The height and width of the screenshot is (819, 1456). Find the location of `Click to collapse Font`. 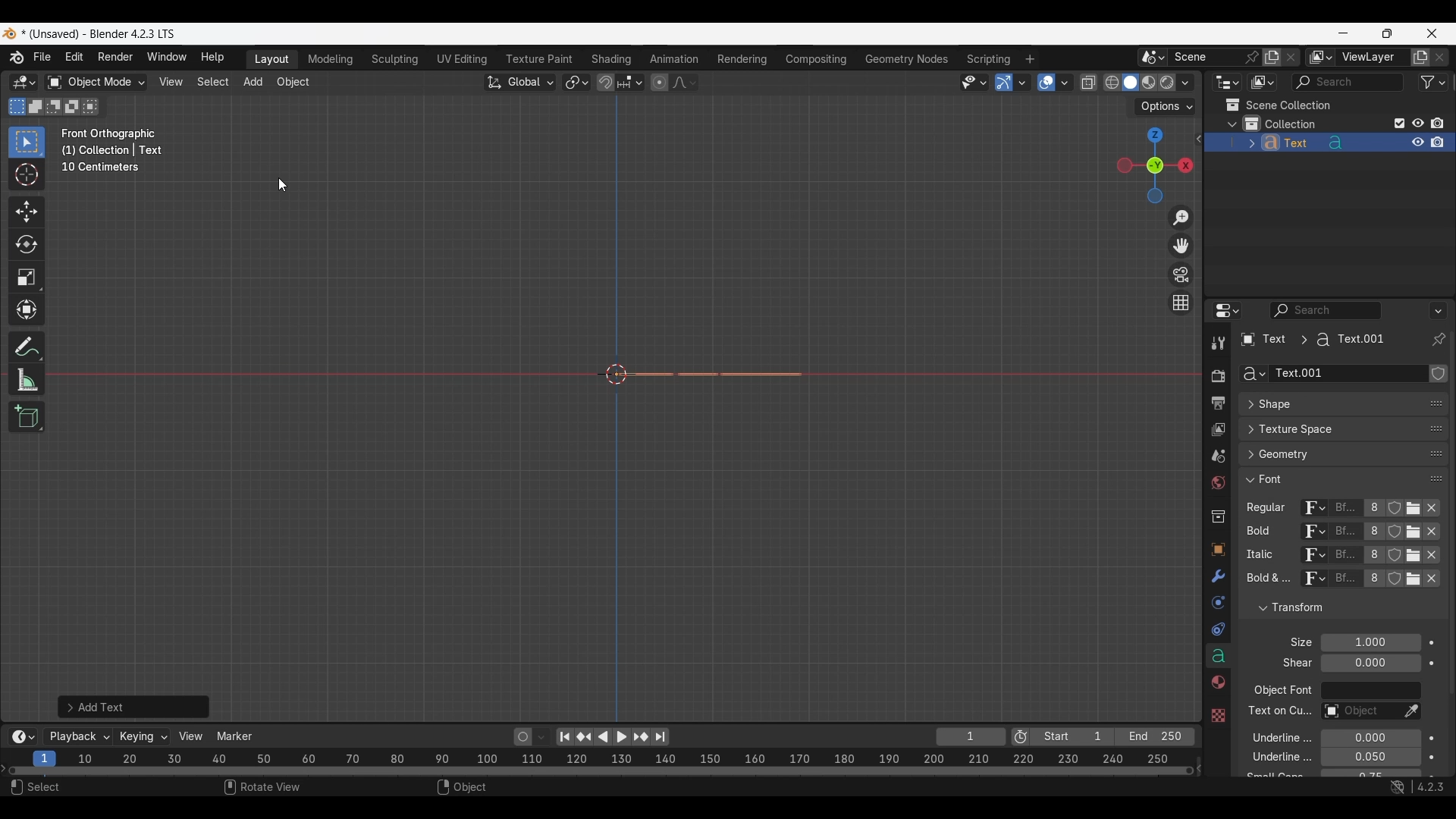

Click to collapse Font is located at coordinates (1328, 479).